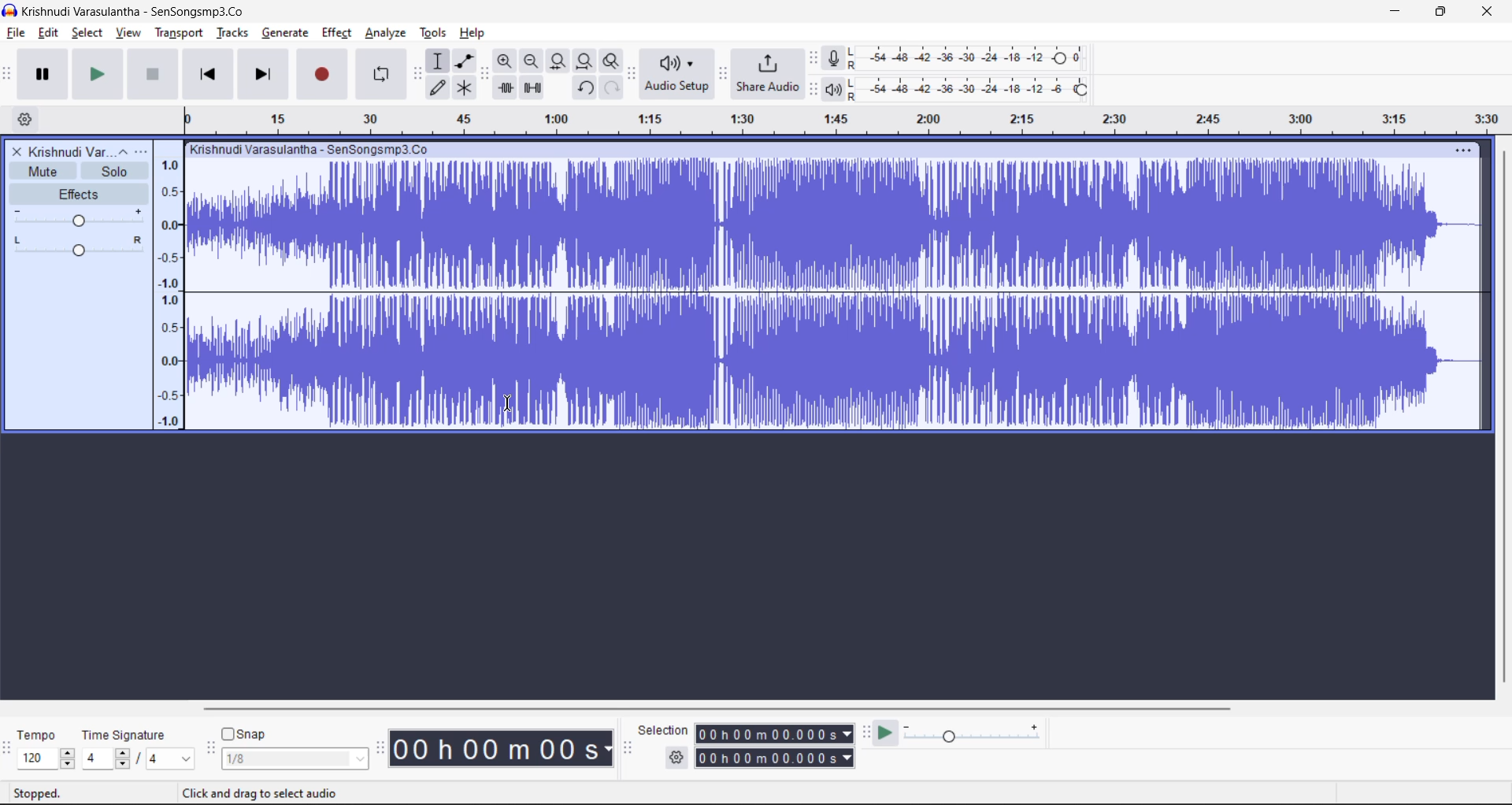 This screenshot has width=1512, height=805. What do you see at coordinates (311, 150) in the screenshot?
I see `[ Krishnudi Varasulantha - SenSongsmp3.Co` at bounding box center [311, 150].